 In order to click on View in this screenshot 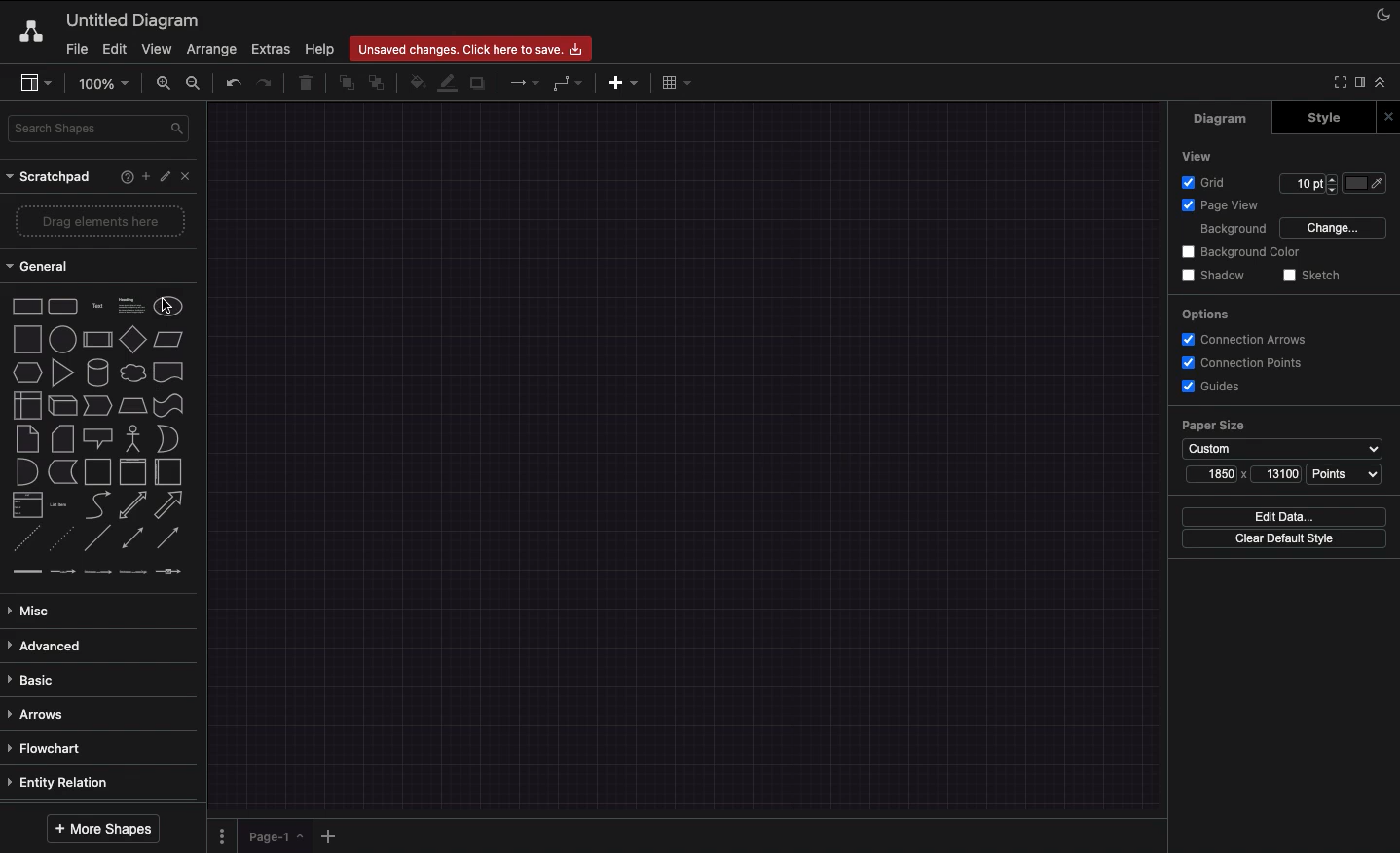, I will do `click(1198, 155)`.